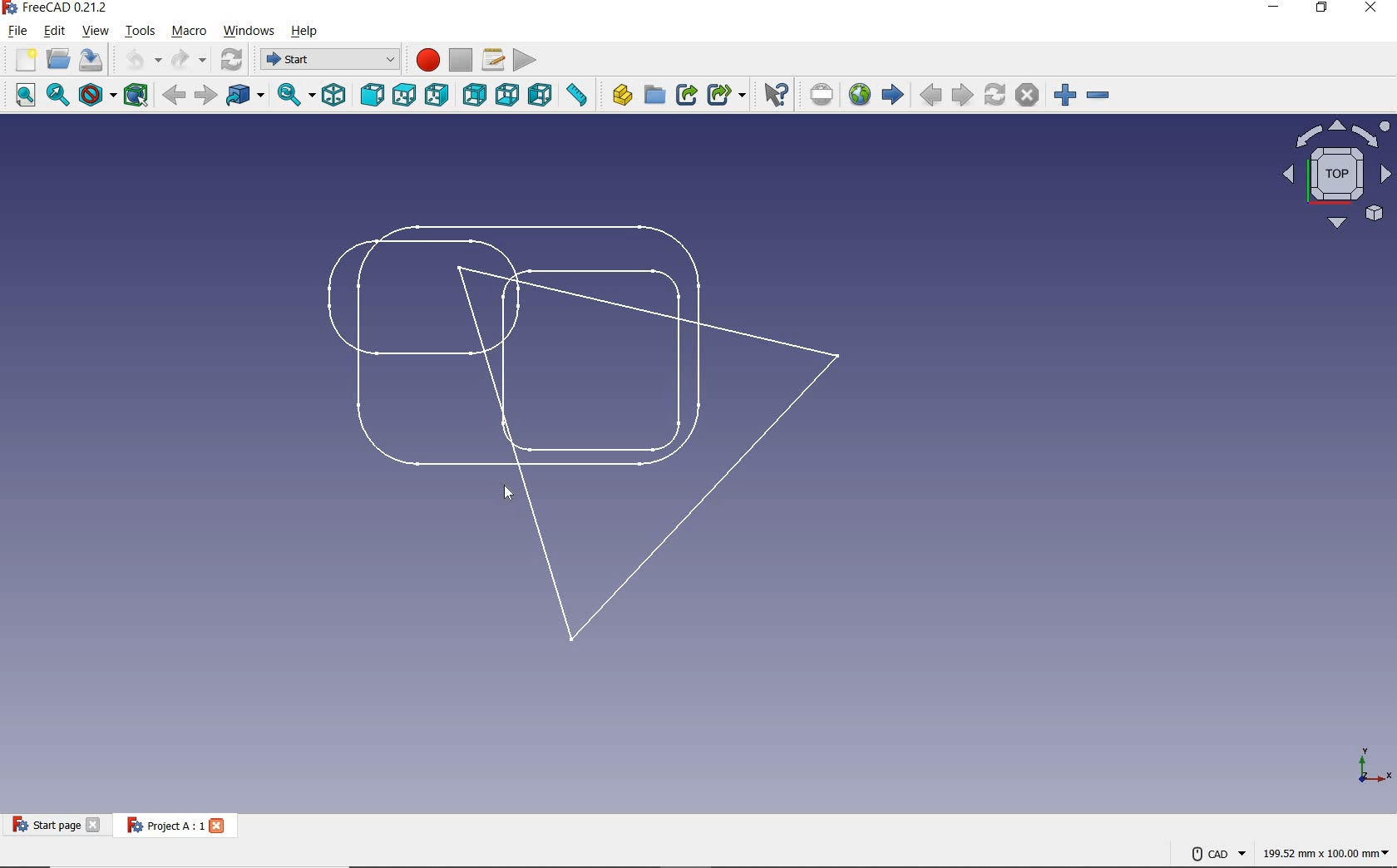 Image resolution: width=1397 pixels, height=868 pixels. What do you see at coordinates (304, 32) in the screenshot?
I see `HELP` at bounding box center [304, 32].